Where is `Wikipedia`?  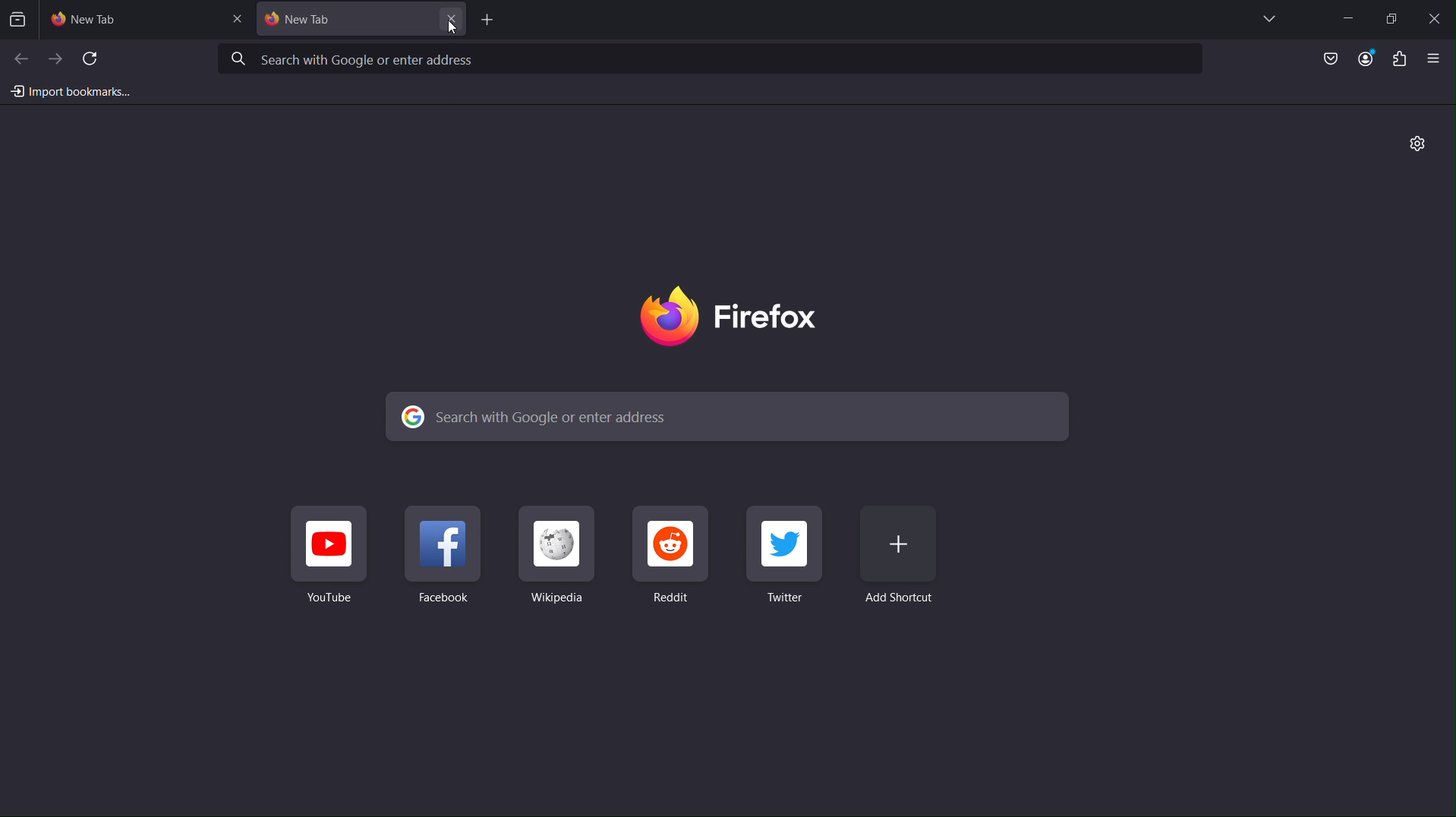 Wikipedia is located at coordinates (561, 563).